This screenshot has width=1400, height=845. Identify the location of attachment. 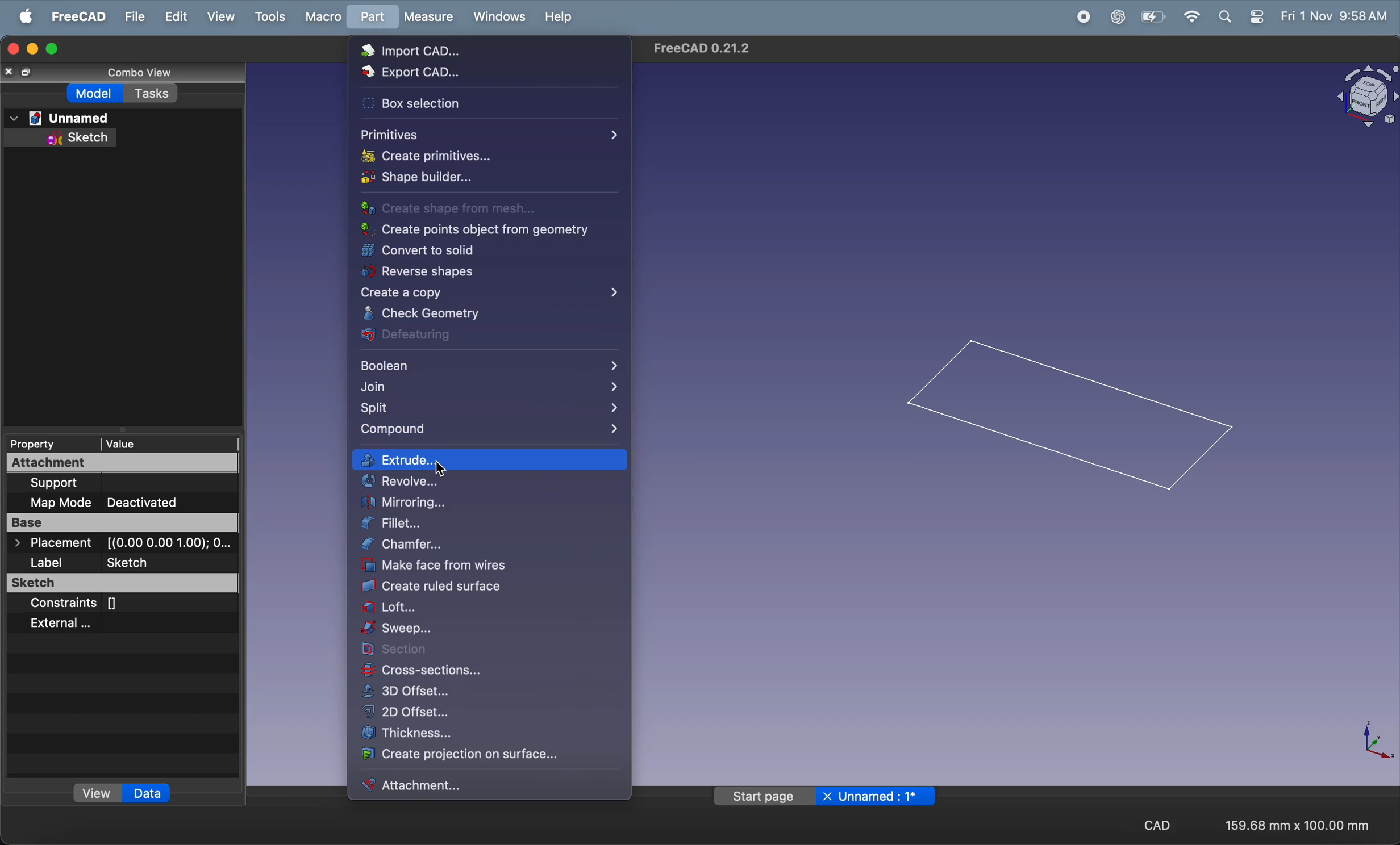
(76, 465).